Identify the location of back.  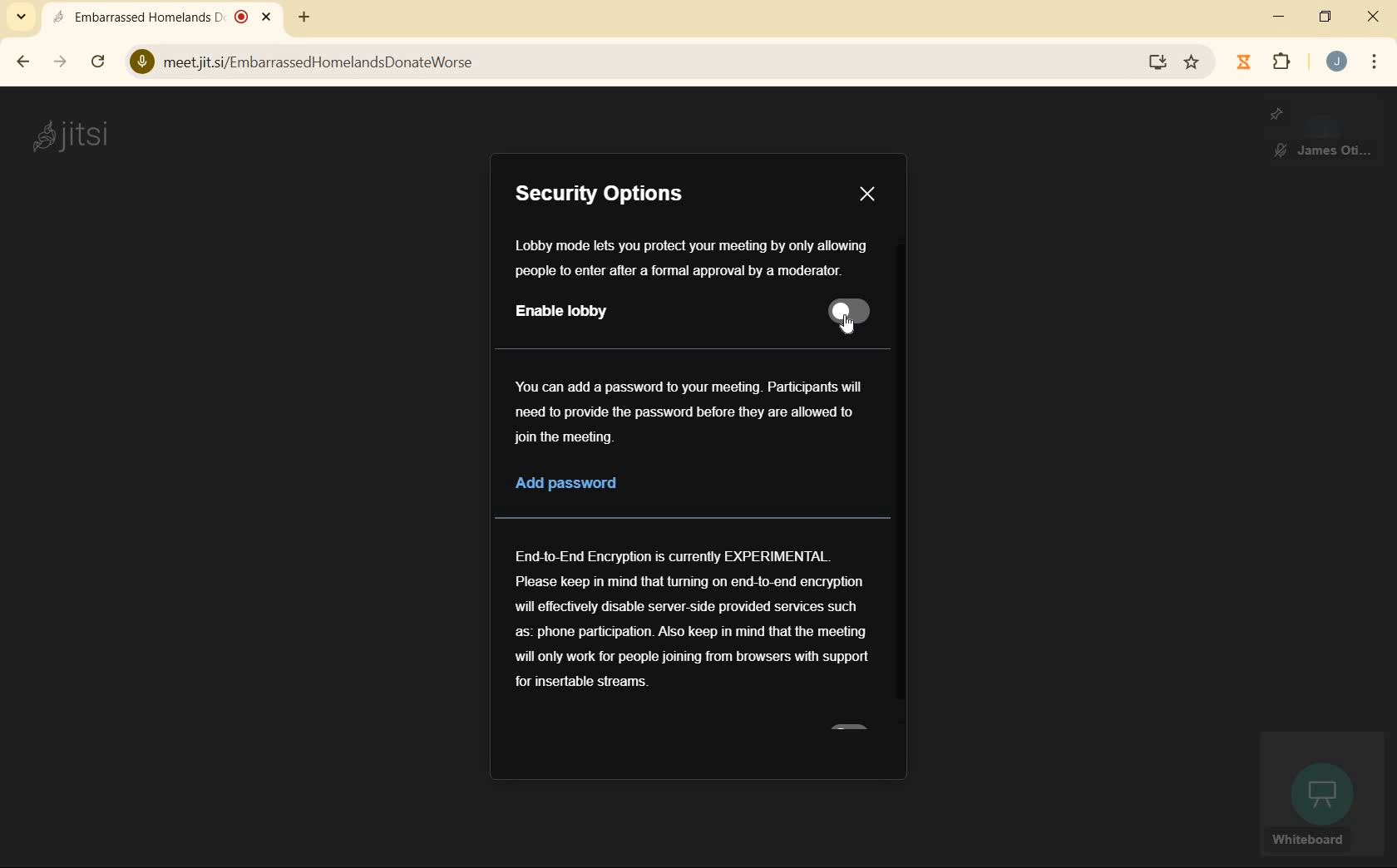
(20, 62).